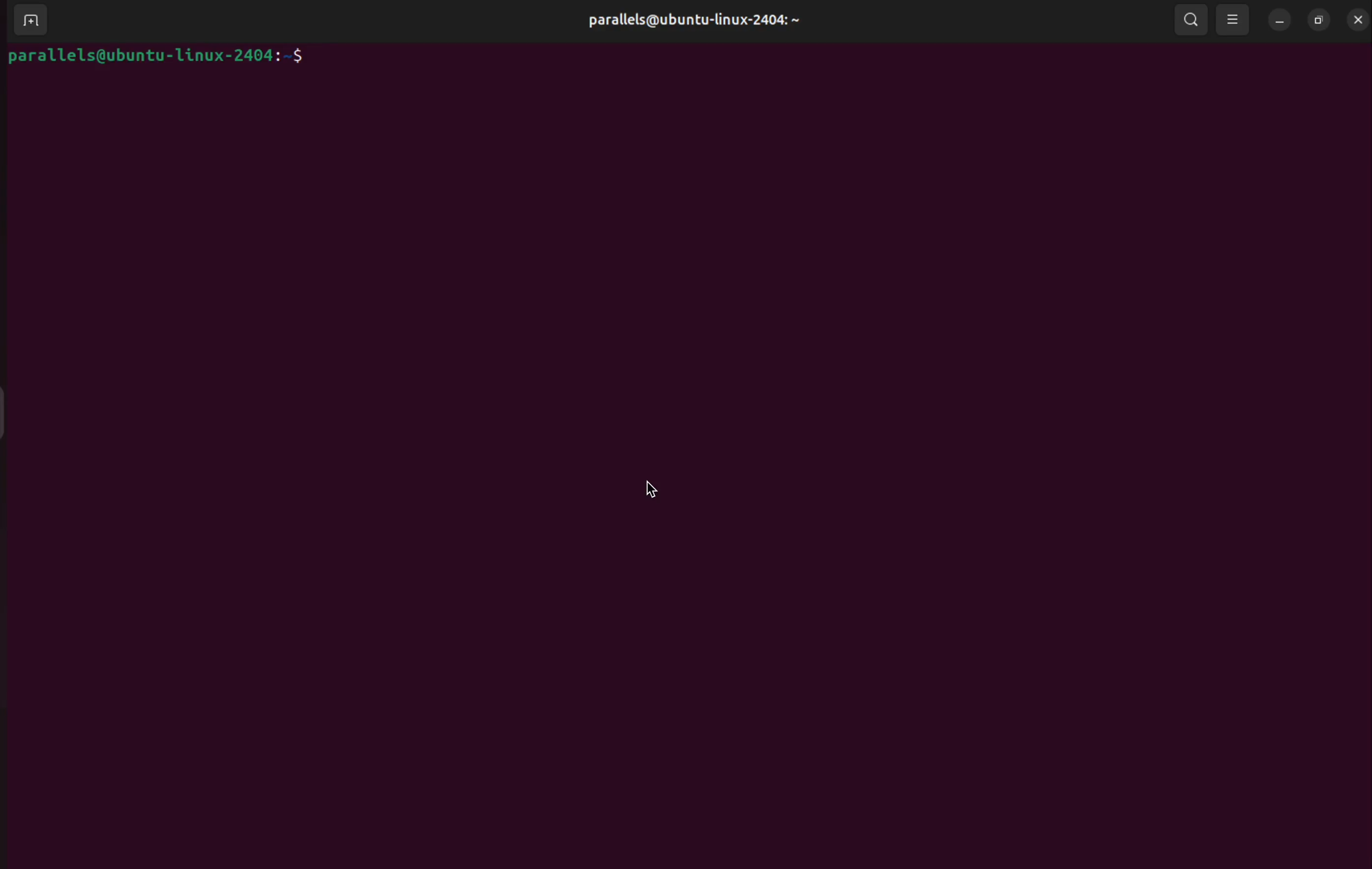 The height and width of the screenshot is (869, 1372). What do you see at coordinates (28, 22) in the screenshot?
I see `add terminal` at bounding box center [28, 22].